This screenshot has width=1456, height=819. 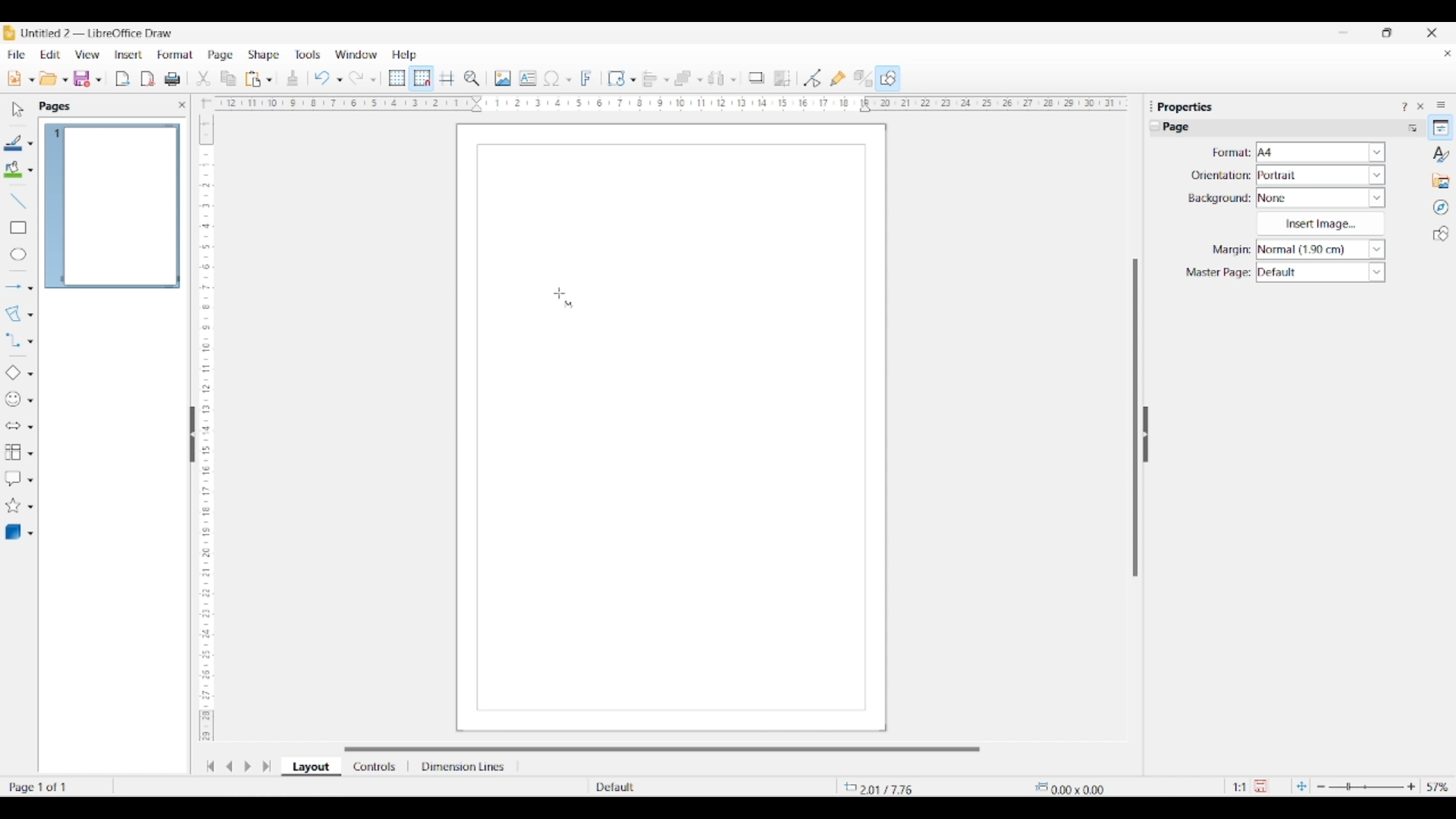 I want to click on Flowchart options, so click(x=30, y=453).